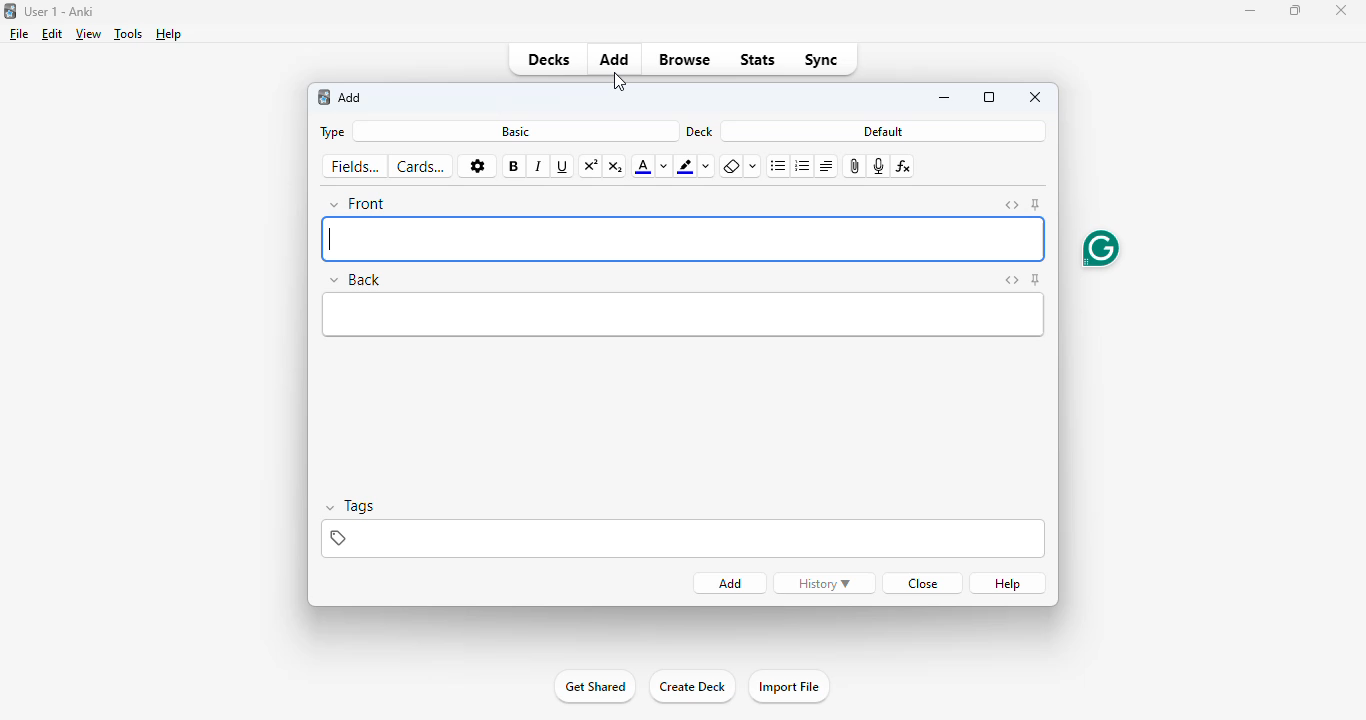  Describe the element at coordinates (683, 539) in the screenshot. I see `tags` at that location.